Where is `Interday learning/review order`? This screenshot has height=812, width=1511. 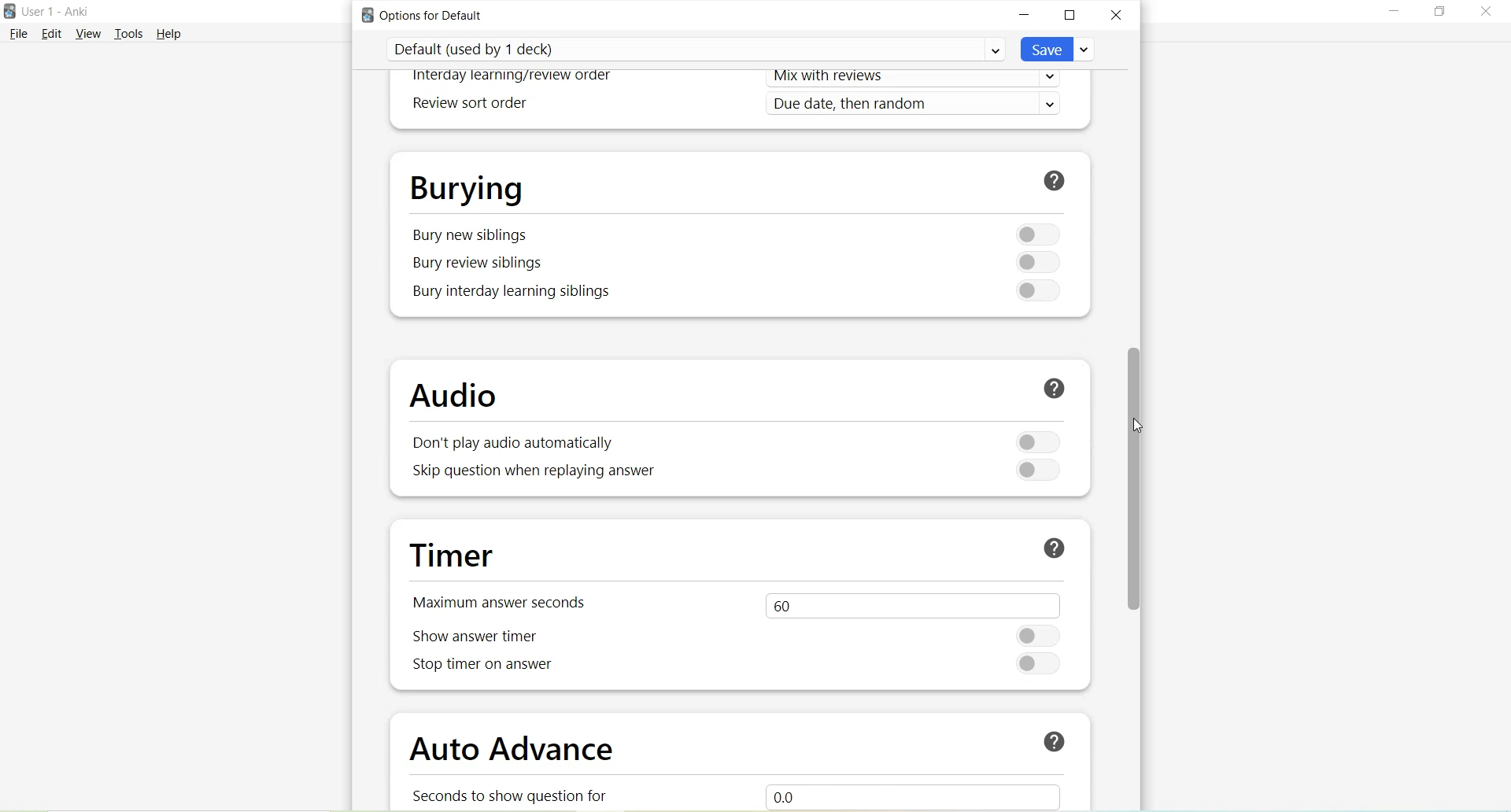
Interday learning/review order is located at coordinates (513, 77).